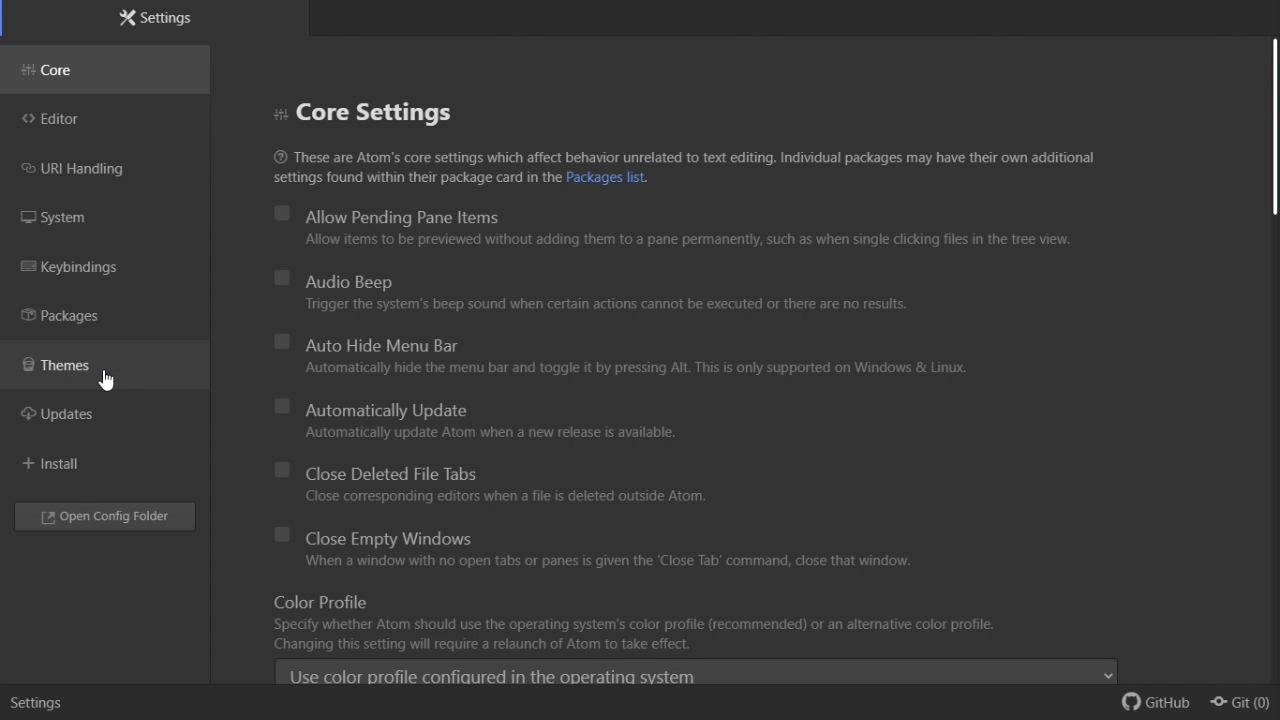 The height and width of the screenshot is (720, 1280). Describe the element at coordinates (509, 481) in the screenshot. I see `close deleted file tabs` at that location.